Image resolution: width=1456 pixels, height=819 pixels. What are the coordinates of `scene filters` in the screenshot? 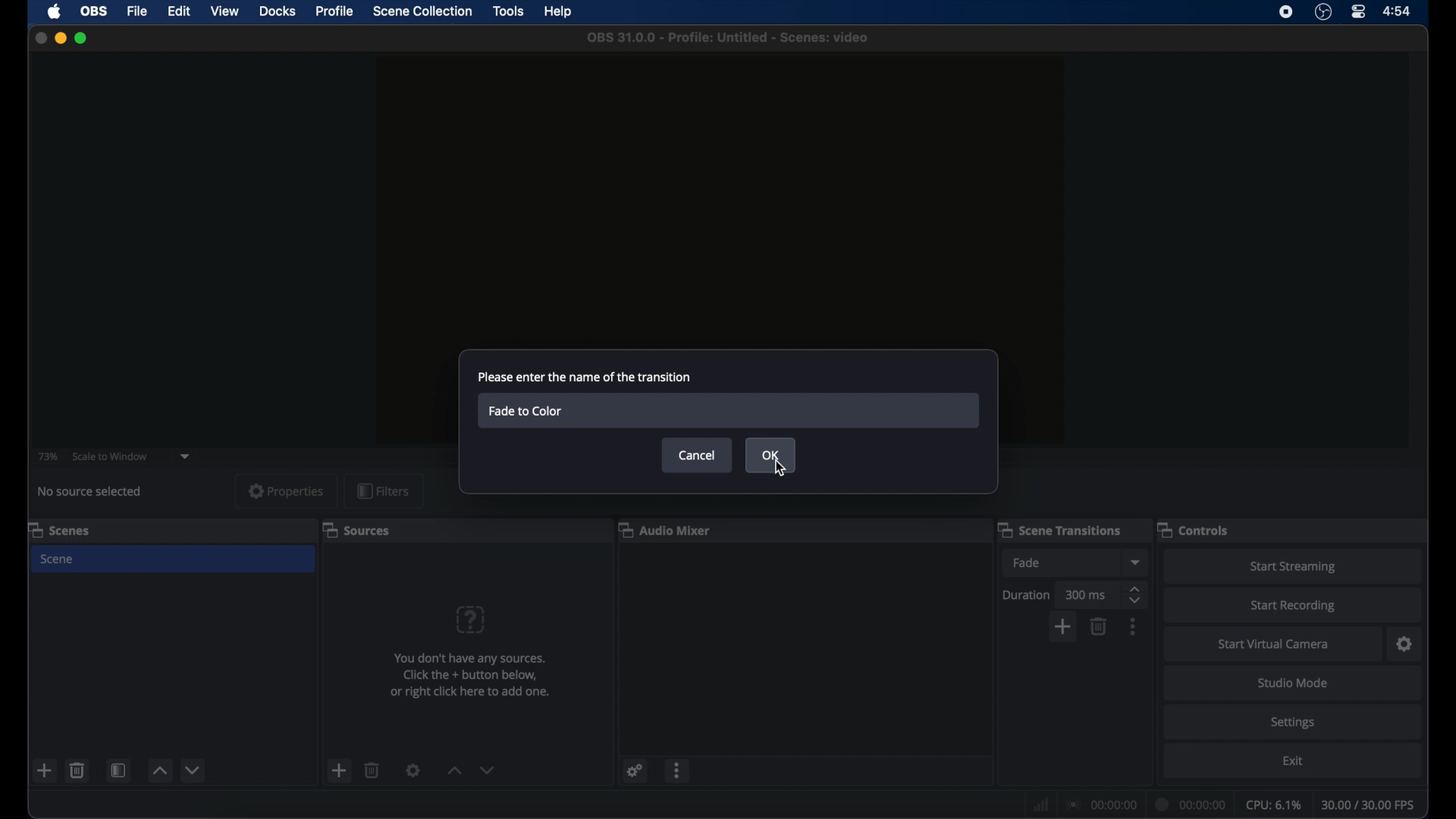 It's located at (118, 770).